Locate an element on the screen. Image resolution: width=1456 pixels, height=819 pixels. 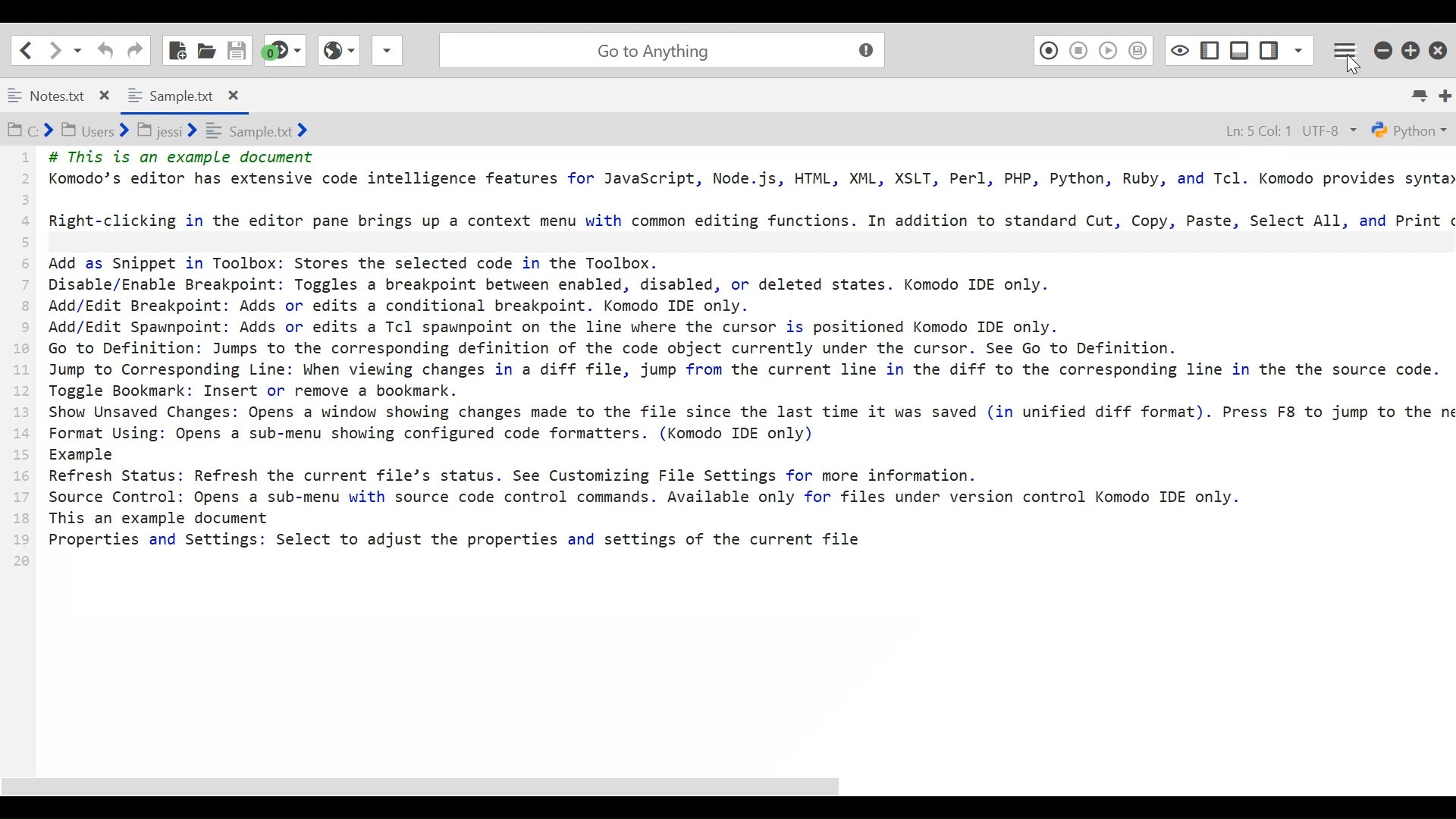
Recording Macro is located at coordinates (1047, 50).